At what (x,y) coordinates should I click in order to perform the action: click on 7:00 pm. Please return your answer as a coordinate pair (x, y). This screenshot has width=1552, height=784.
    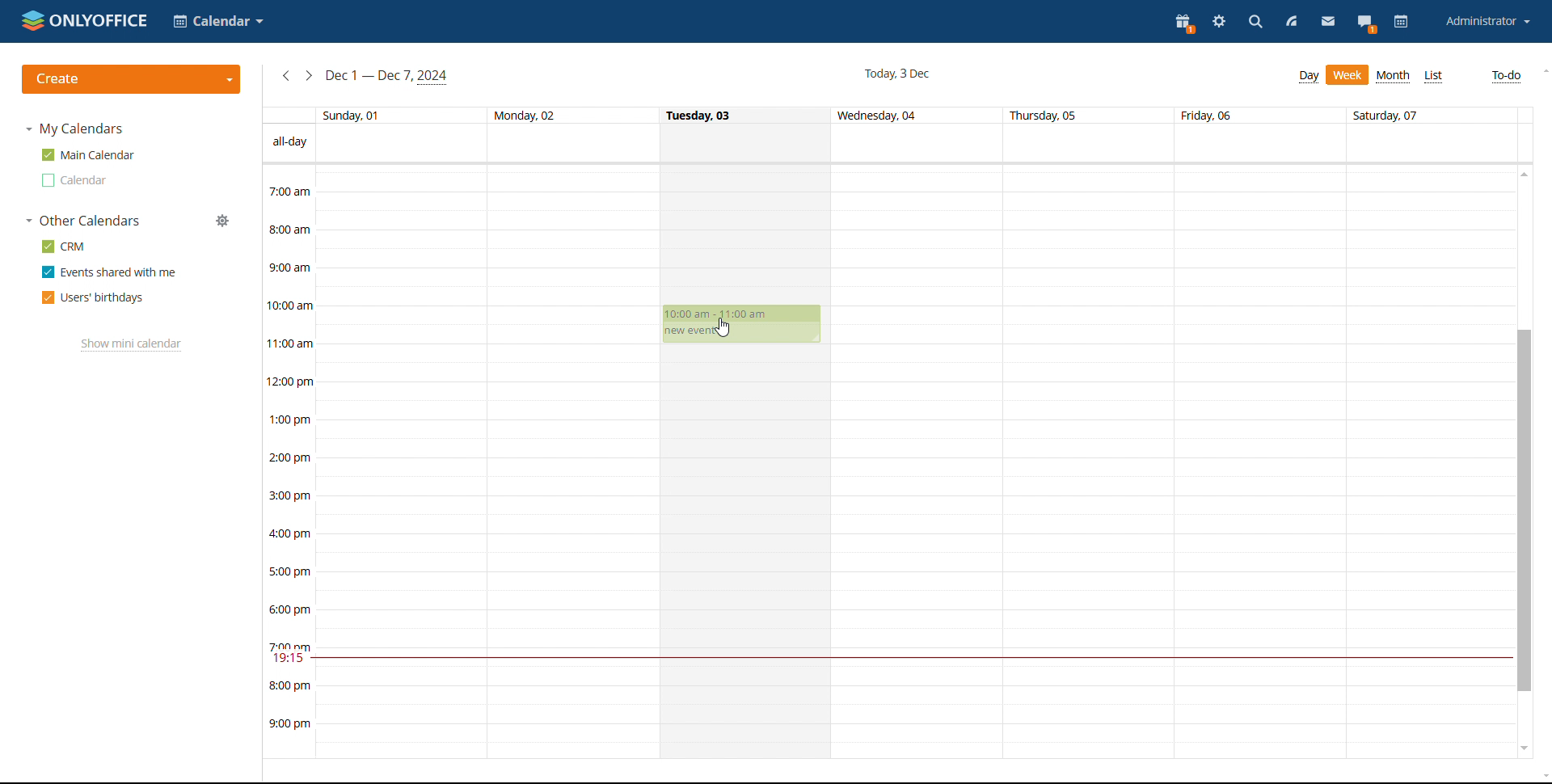
    Looking at the image, I should click on (290, 645).